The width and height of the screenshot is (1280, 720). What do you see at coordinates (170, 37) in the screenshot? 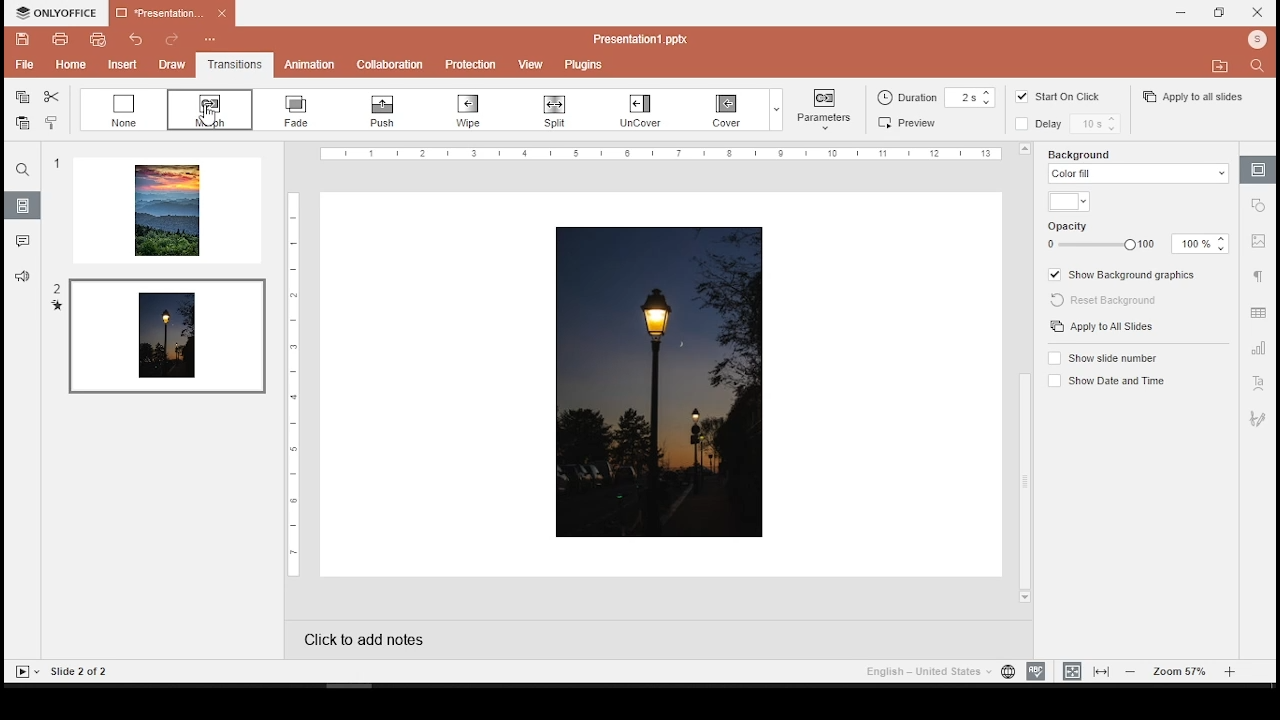
I see `redo` at bounding box center [170, 37].